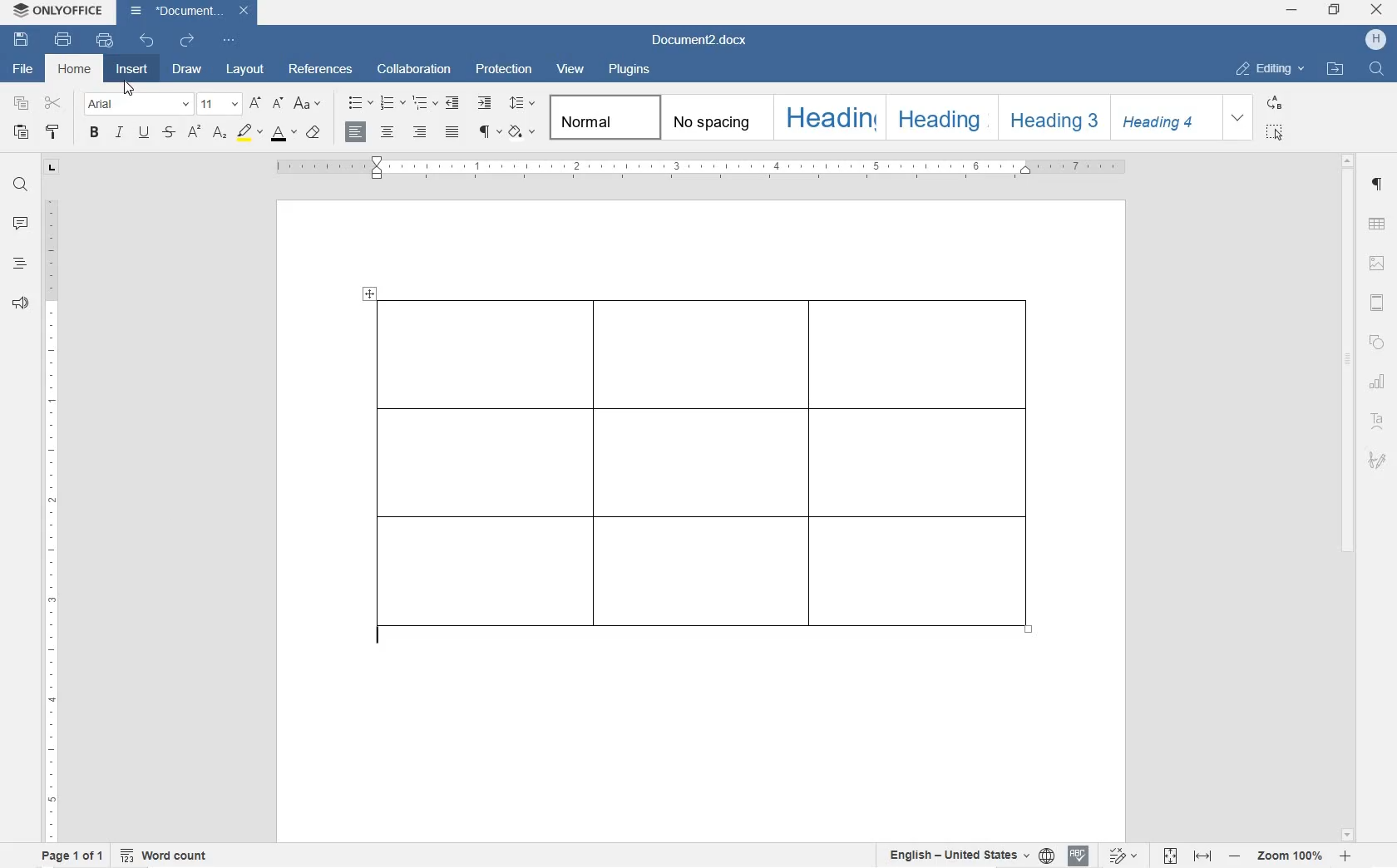 This screenshot has width=1397, height=868. Describe the element at coordinates (357, 132) in the screenshot. I see `align left` at that location.